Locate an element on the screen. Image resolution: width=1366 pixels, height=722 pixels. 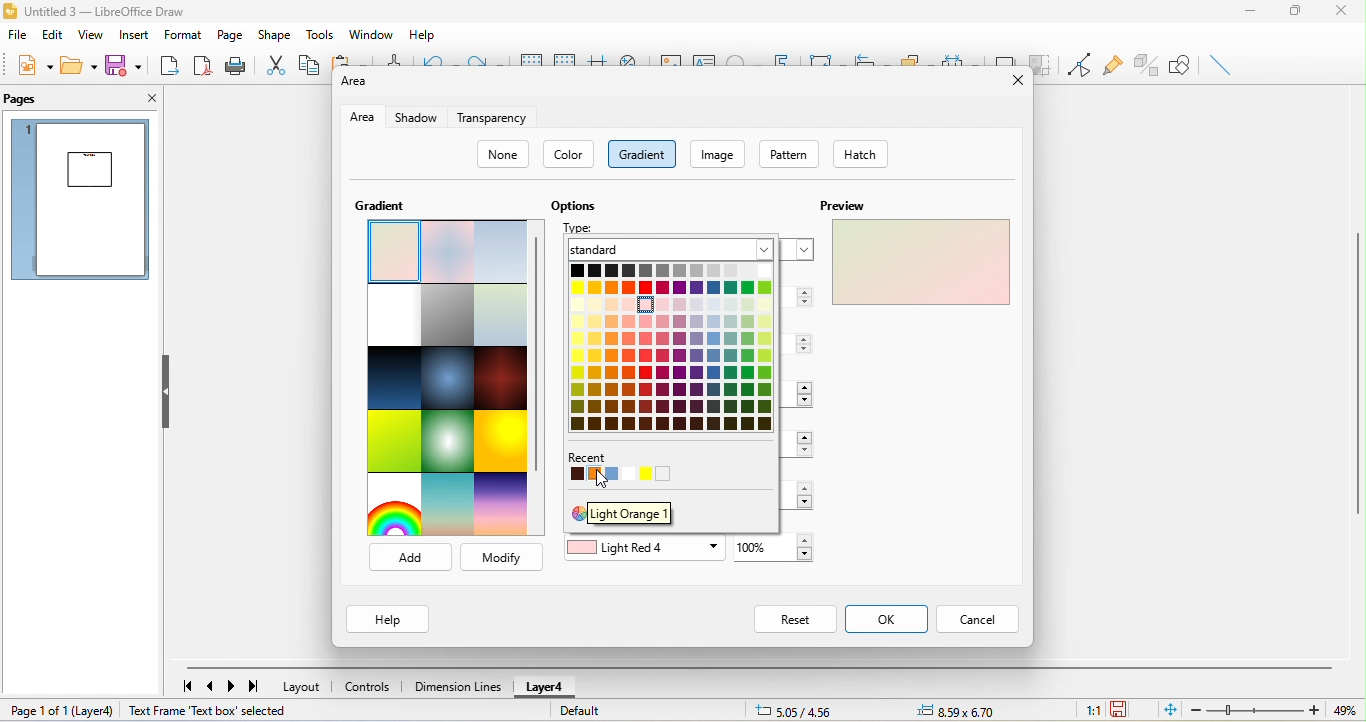
format is located at coordinates (180, 35).